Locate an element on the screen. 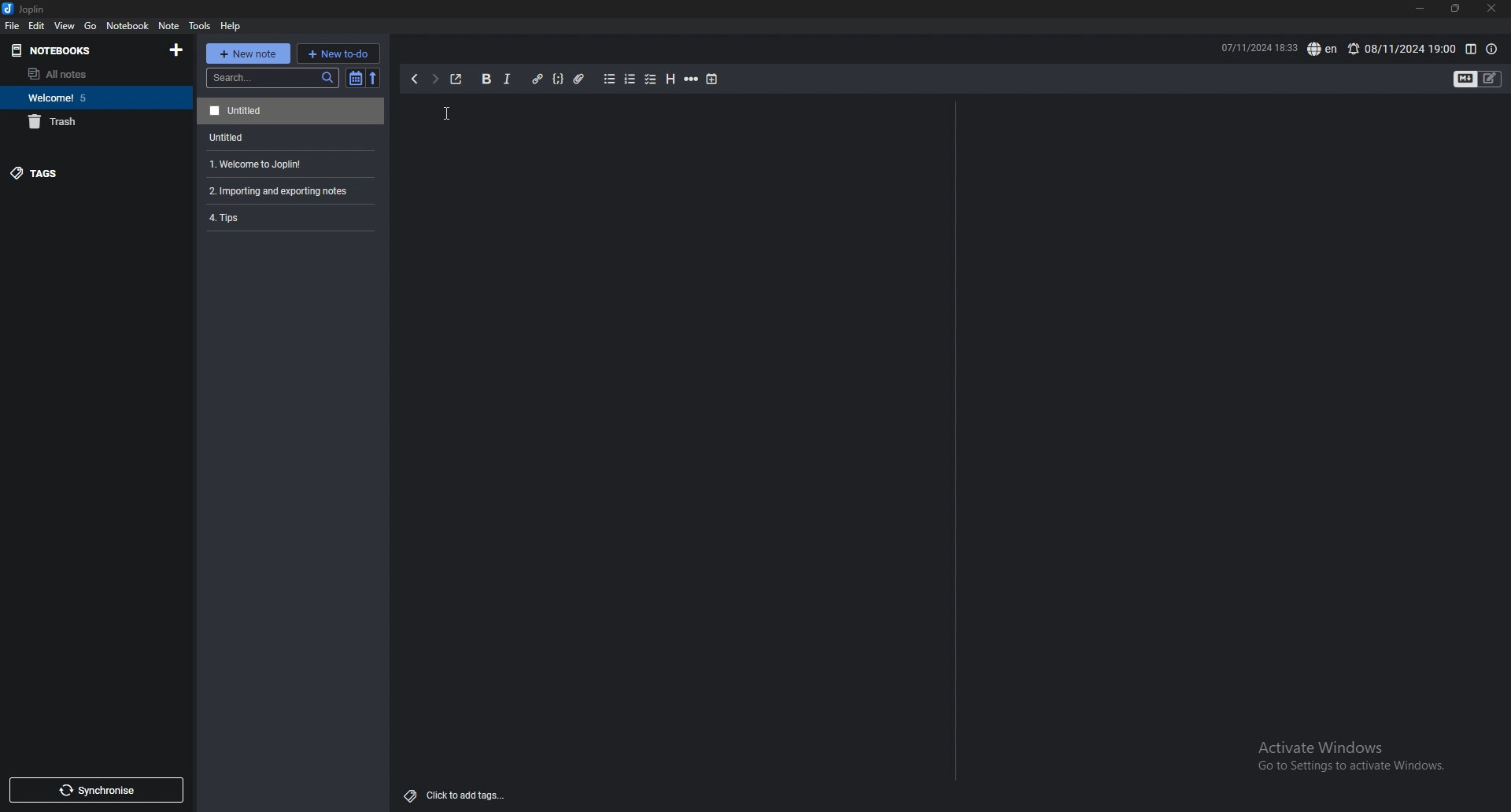 Image resolution: width=1511 pixels, height=812 pixels. reverse sort order is located at coordinates (376, 78).